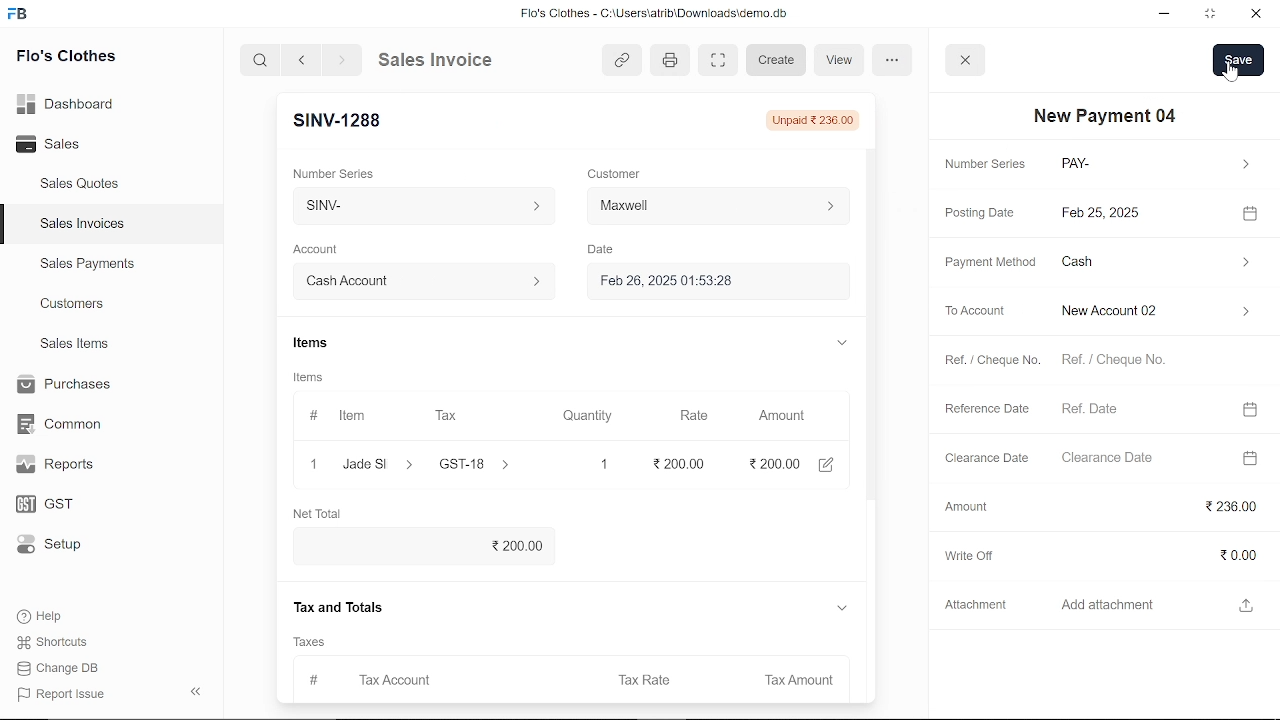 Image resolution: width=1280 pixels, height=720 pixels. What do you see at coordinates (774, 460) in the screenshot?
I see `200.00` at bounding box center [774, 460].